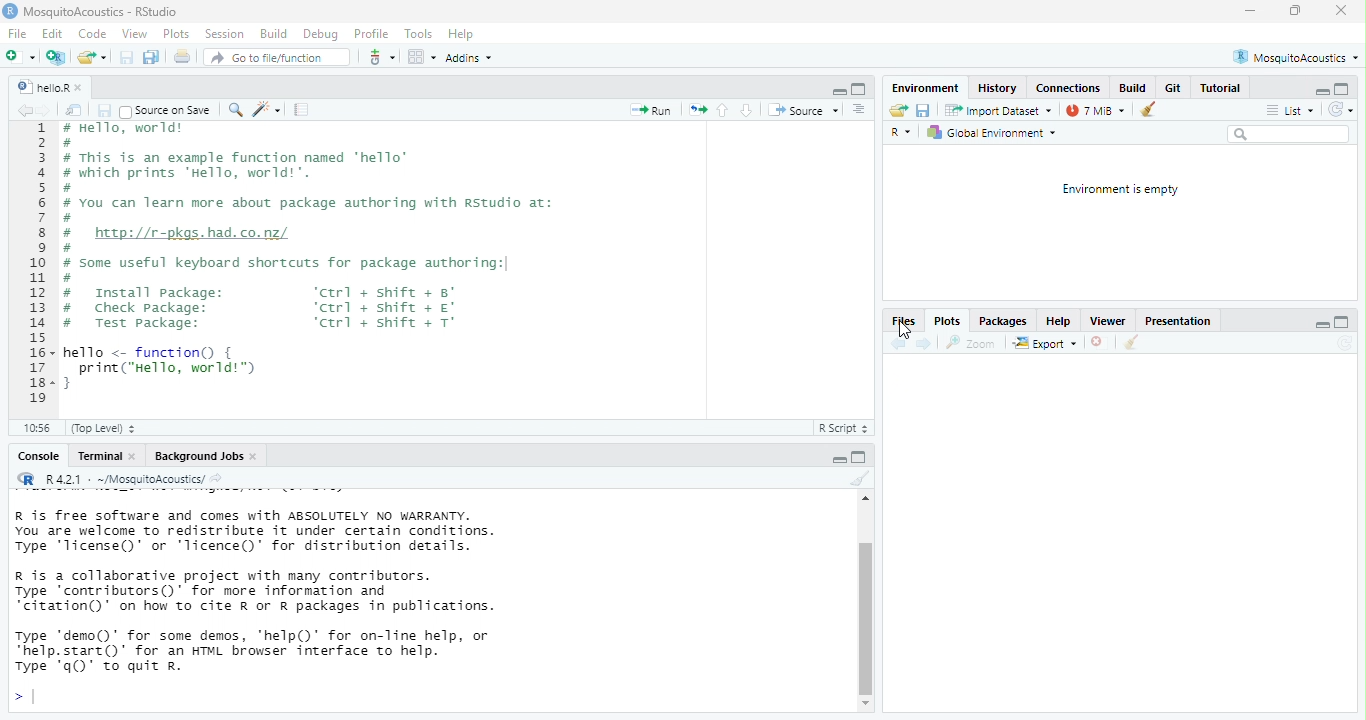  I want to click on Files, so click(902, 320).